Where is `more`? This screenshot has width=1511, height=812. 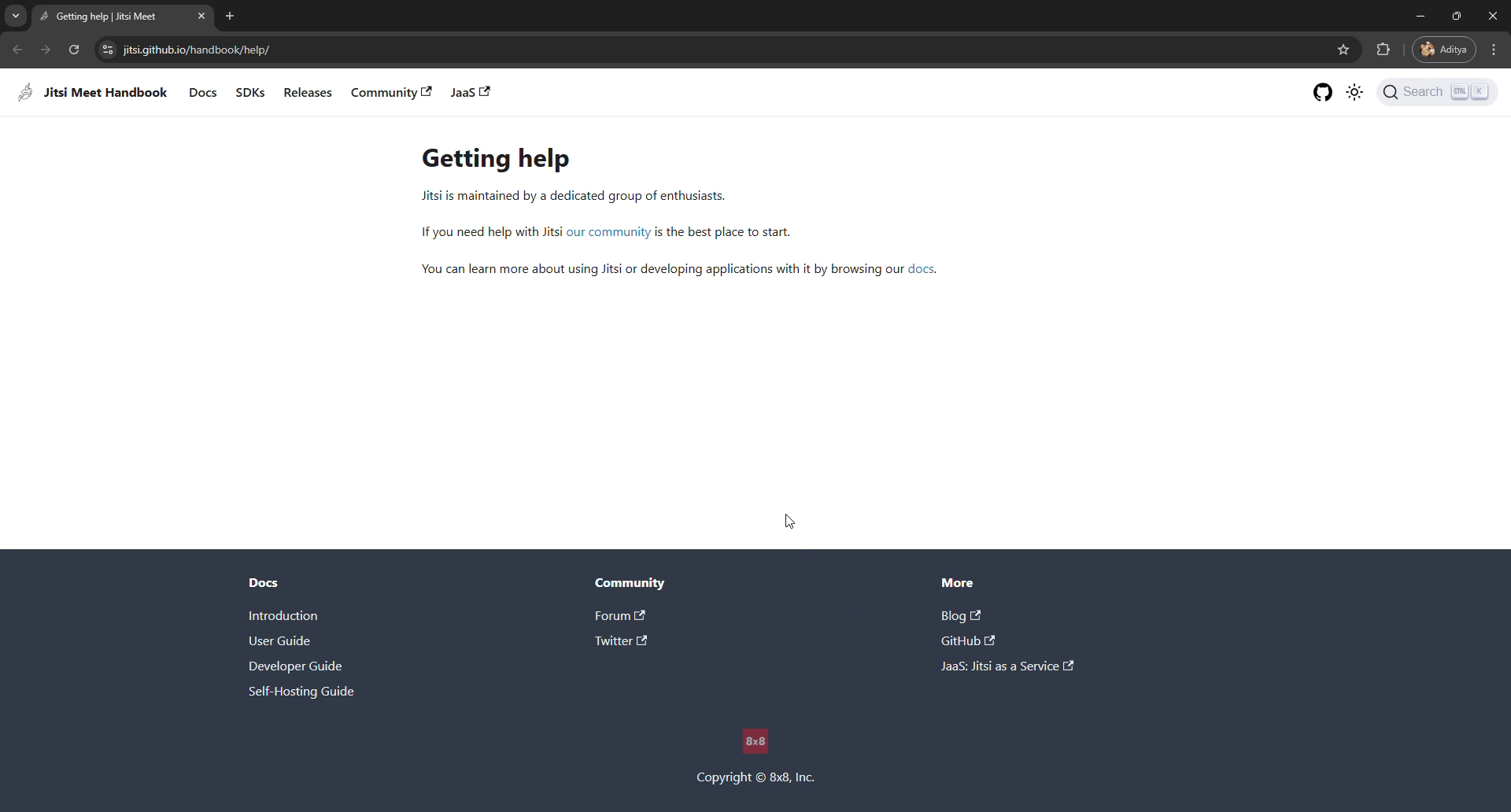
more is located at coordinates (1499, 50).